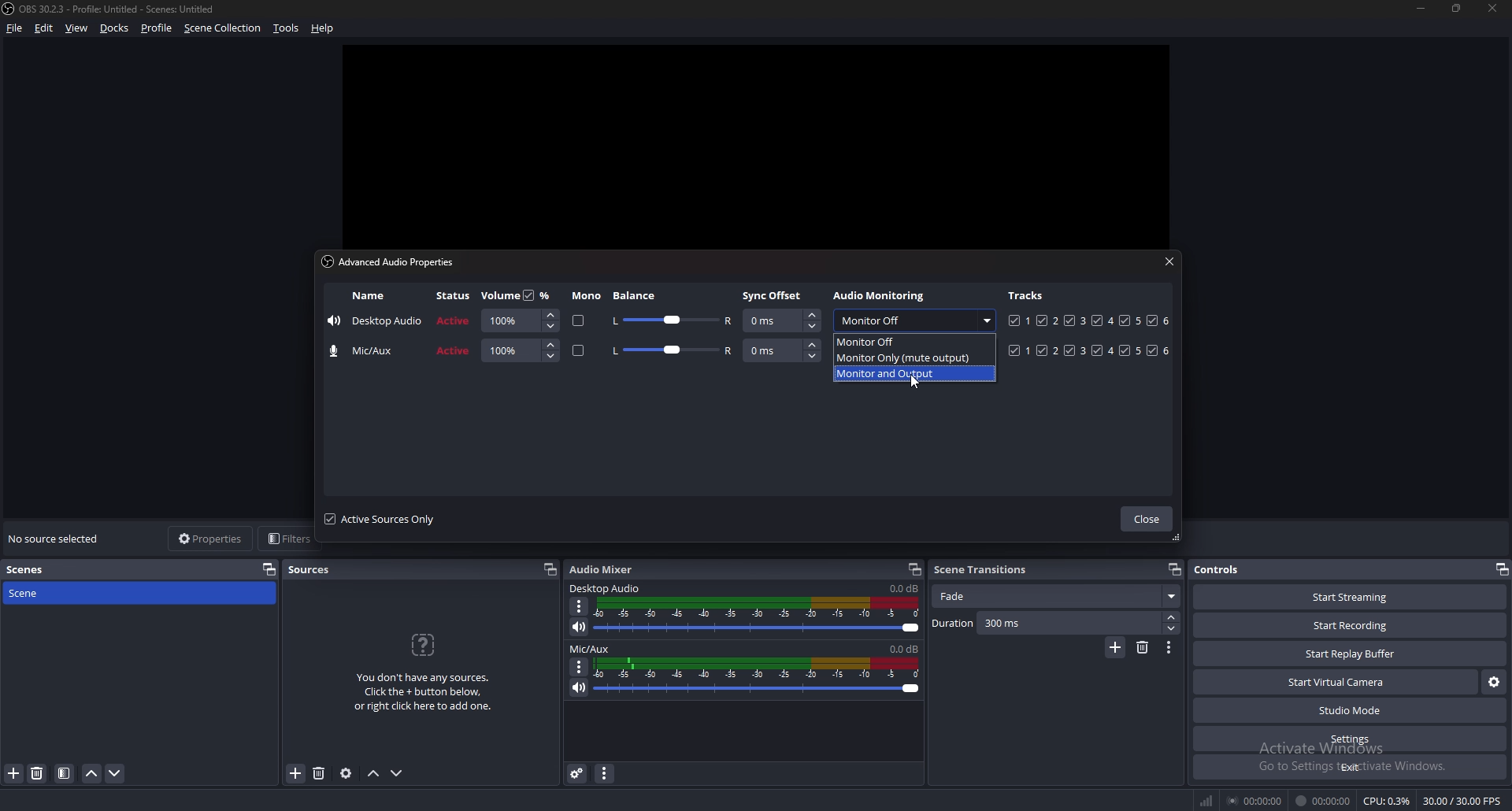 This screenshot has height=811, width=1512. What do you see at coordinates (607, 570) in the screenshot?
I see `audio mixer` at bounding box center [607, 570].